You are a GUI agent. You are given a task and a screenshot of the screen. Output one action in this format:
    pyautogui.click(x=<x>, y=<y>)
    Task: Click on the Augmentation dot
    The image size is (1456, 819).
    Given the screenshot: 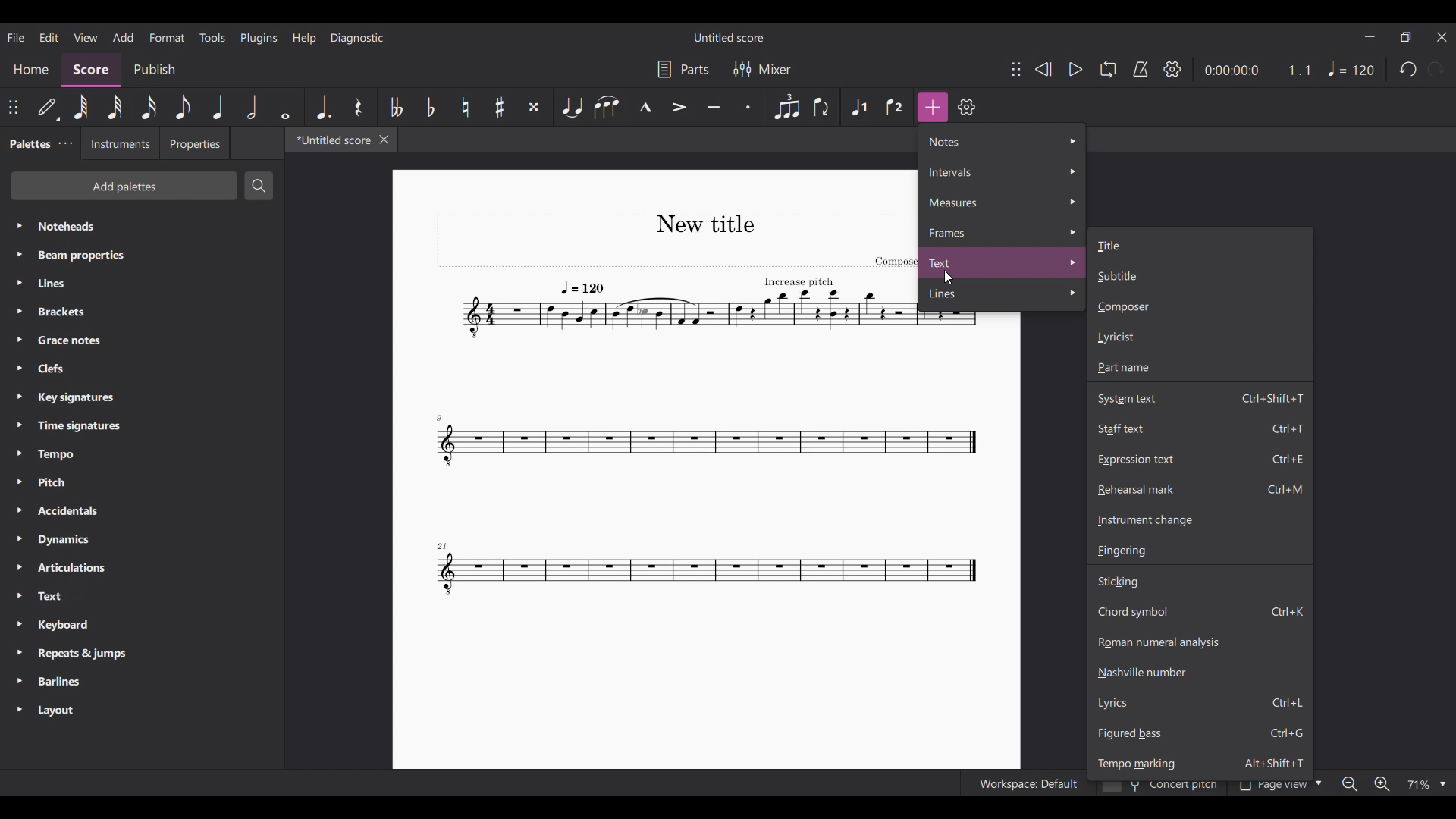 What is the action you would take?
    pyautogui.click(x=322, y=107)
    